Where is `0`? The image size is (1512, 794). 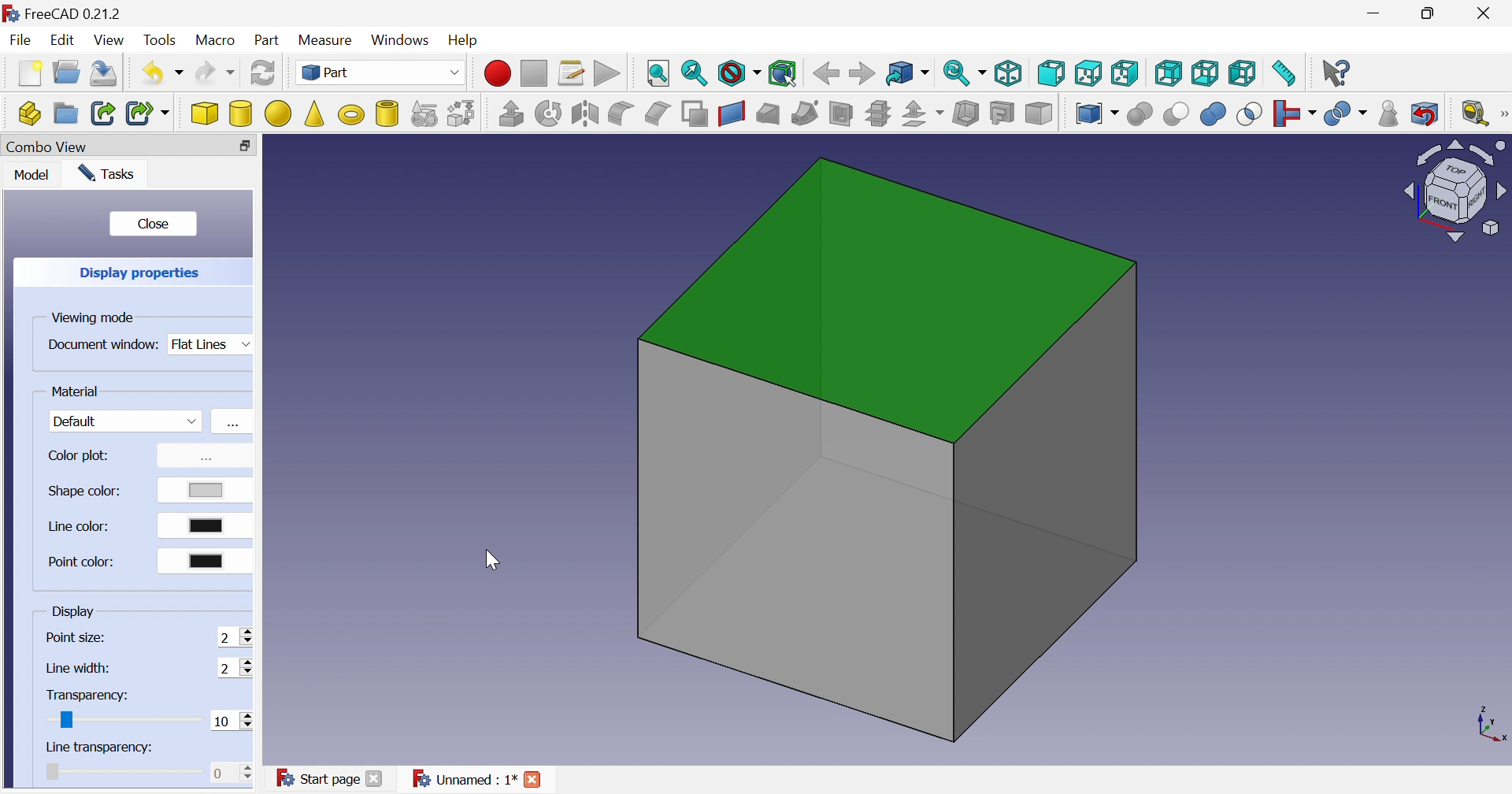
0 is located at coordinates (231, 772).